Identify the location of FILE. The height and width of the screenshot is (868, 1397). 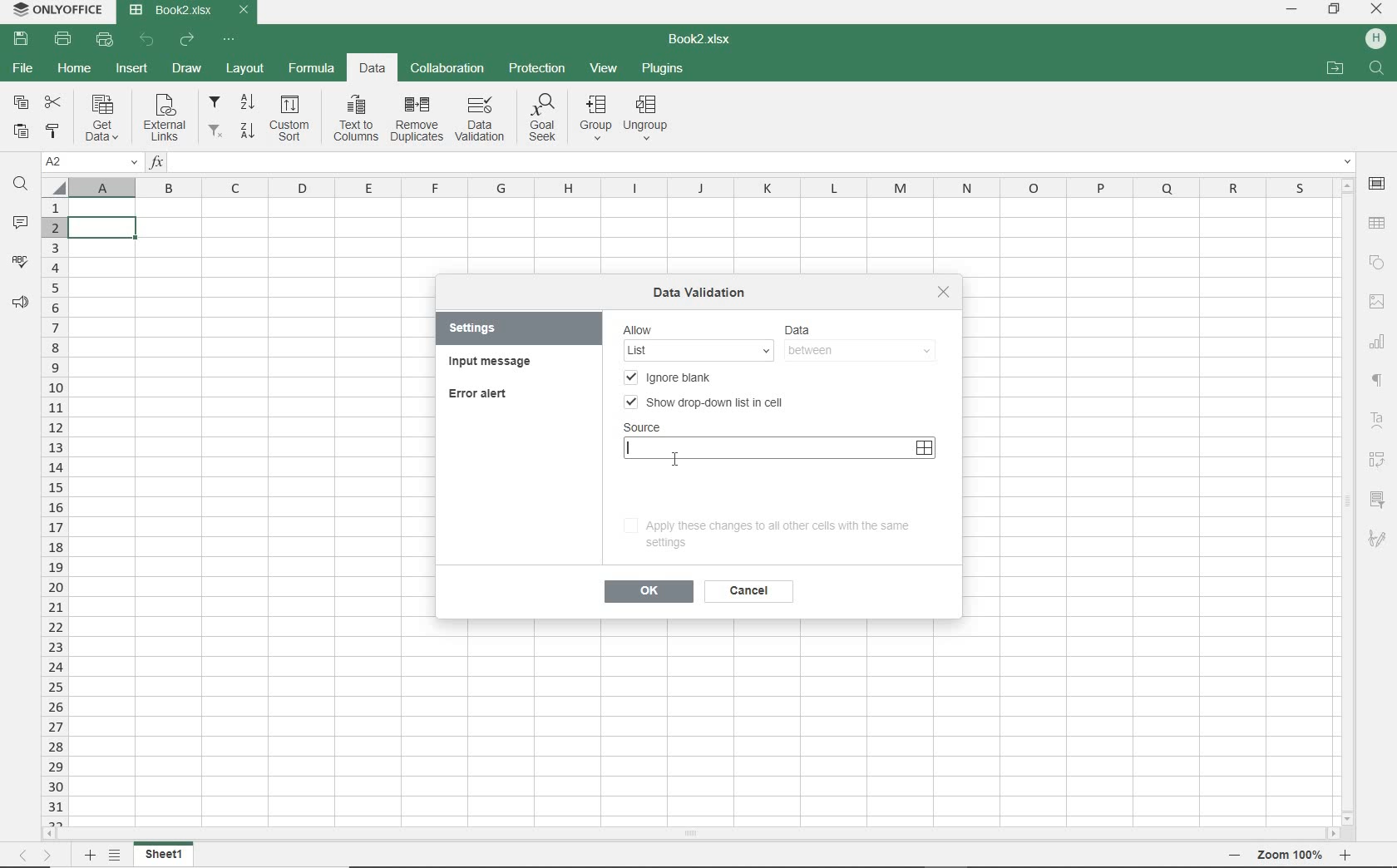
(23, 68).